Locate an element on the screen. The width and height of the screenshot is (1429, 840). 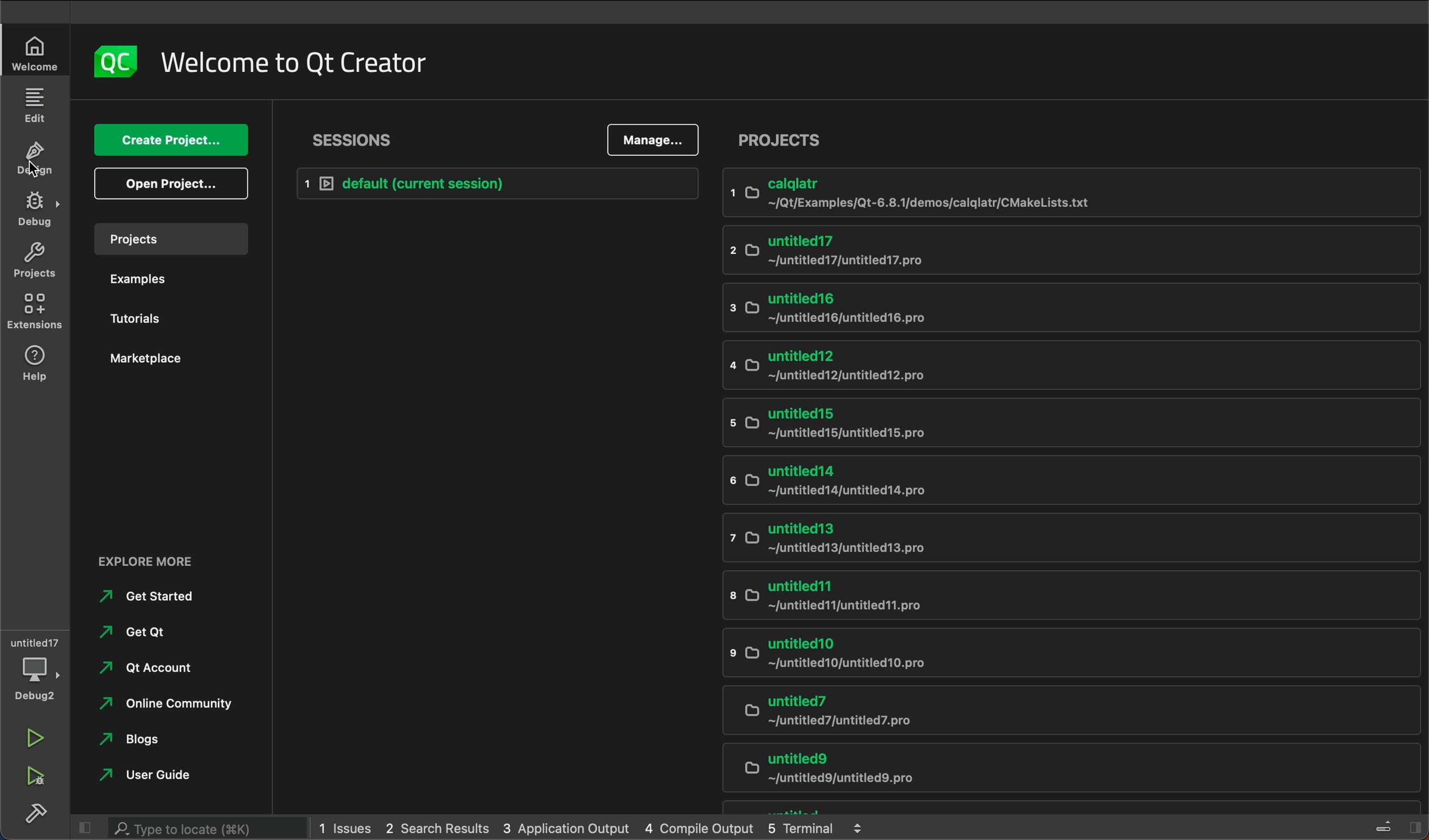
2 Search Results is located at coordinates (438, 828).